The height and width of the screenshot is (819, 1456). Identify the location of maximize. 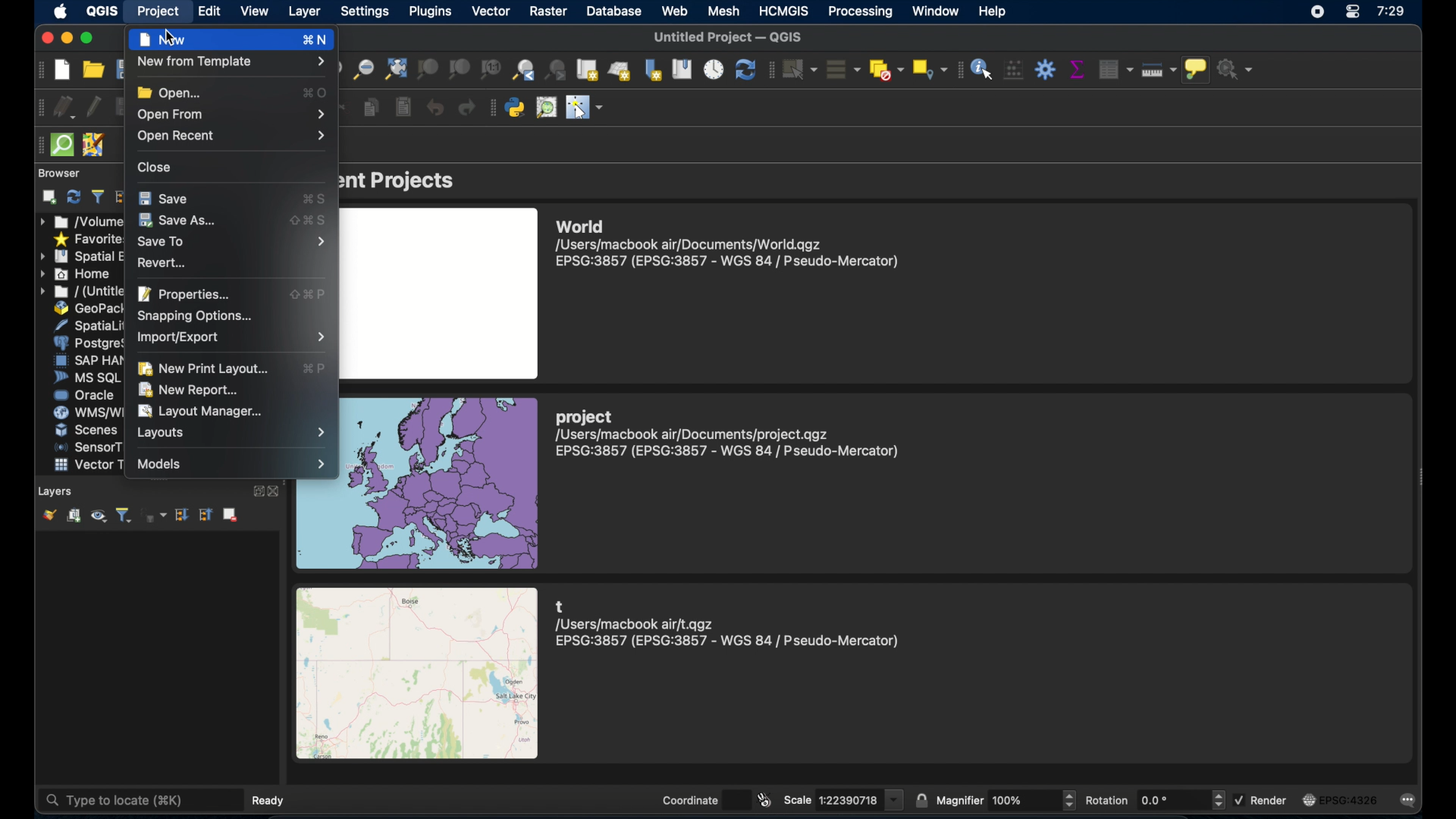
(90, 37).